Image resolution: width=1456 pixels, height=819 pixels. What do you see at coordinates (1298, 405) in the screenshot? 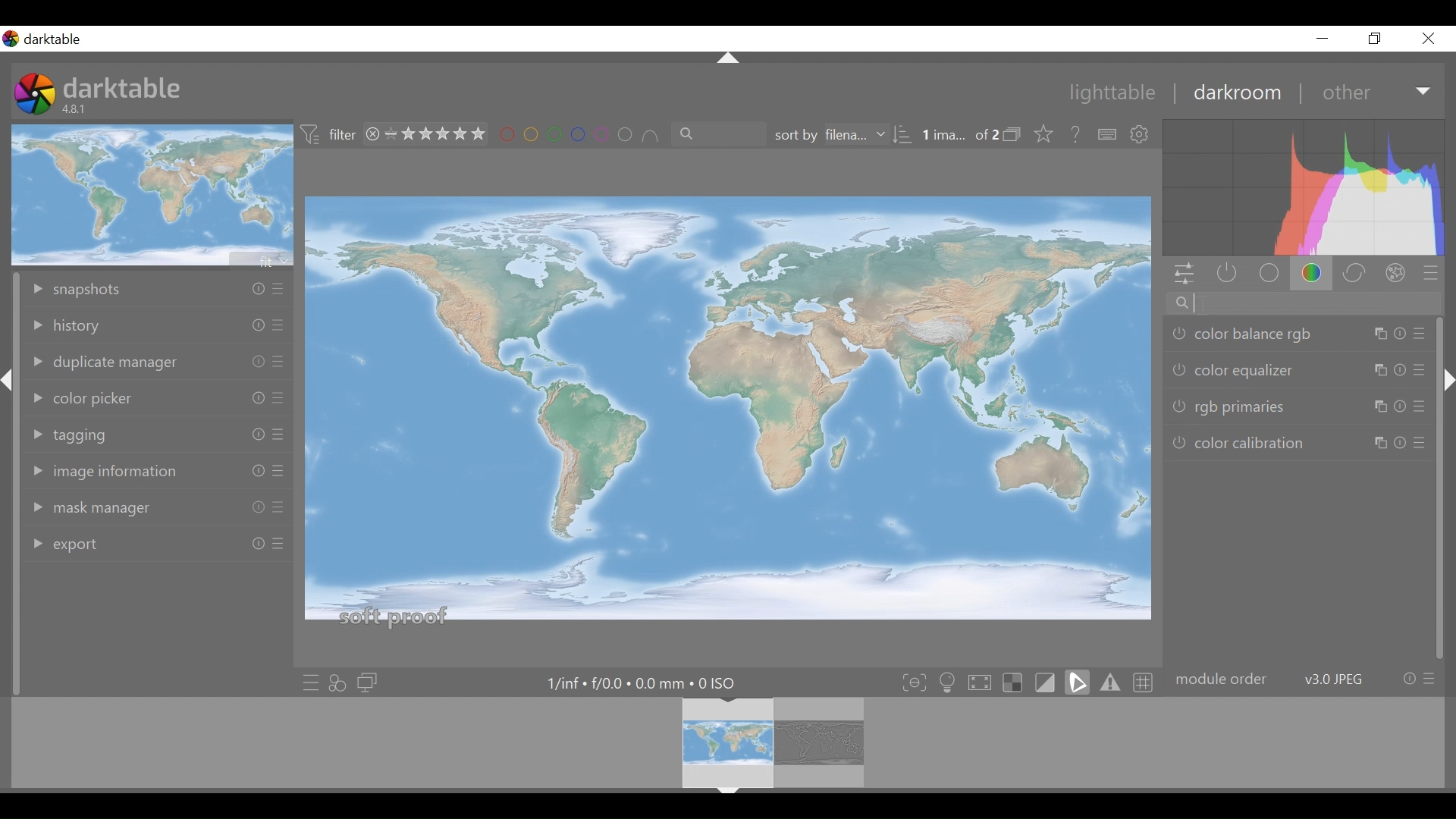
I see `rgb pirimaries` at bounding box center [1298, 405].